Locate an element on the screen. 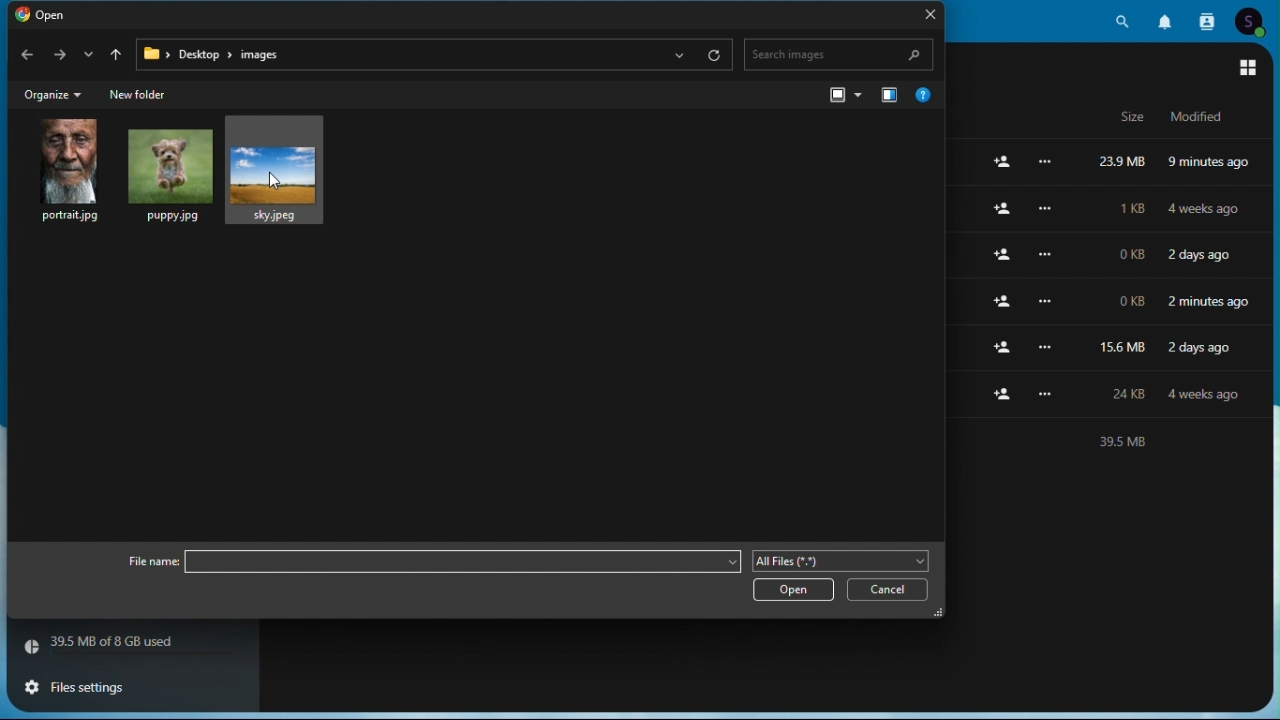 The image size is (1280, 720). Address bar is located at coordinates (435, 55).